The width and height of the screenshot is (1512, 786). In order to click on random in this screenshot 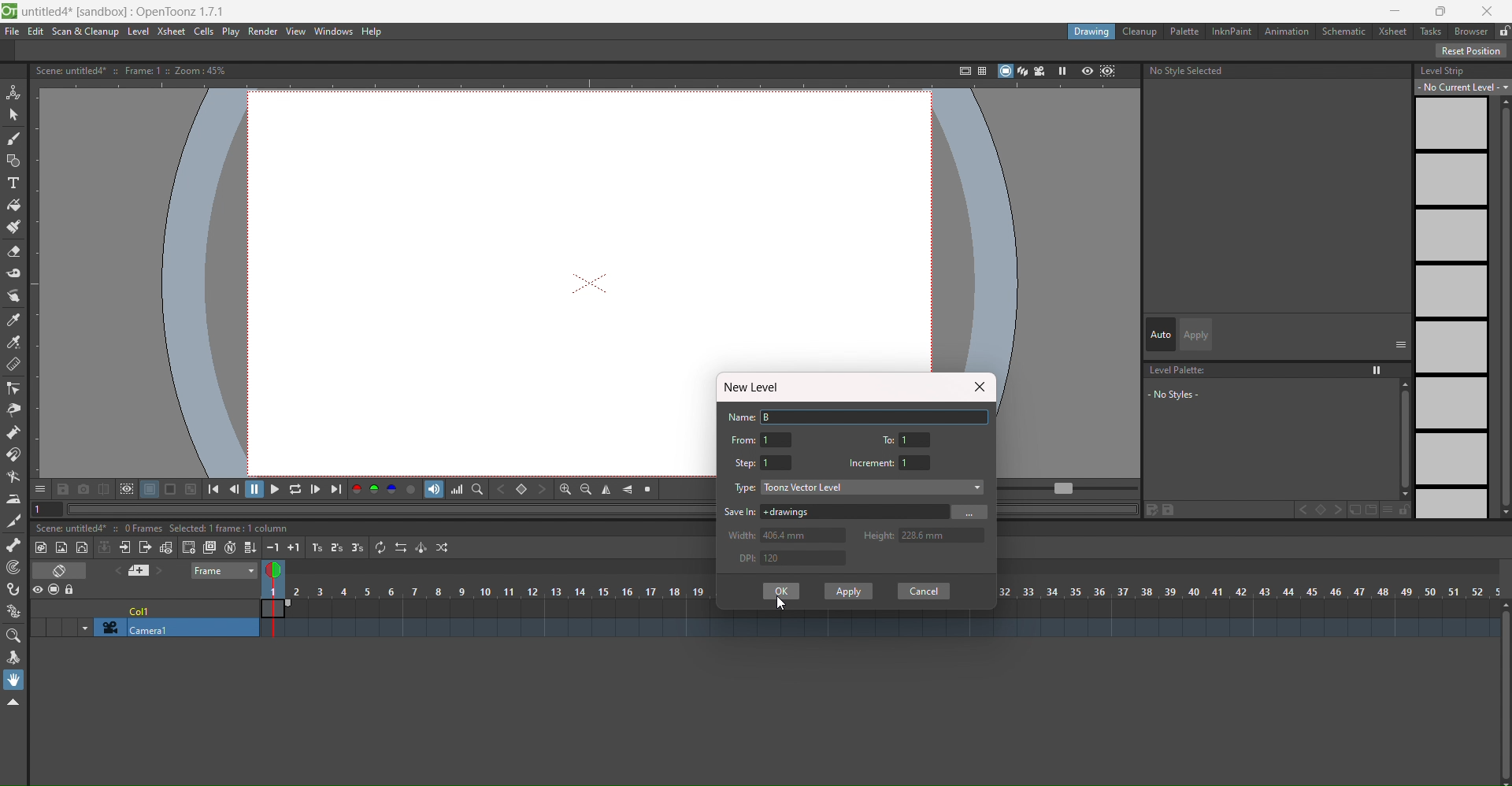, I will do `click(444, 547)`.